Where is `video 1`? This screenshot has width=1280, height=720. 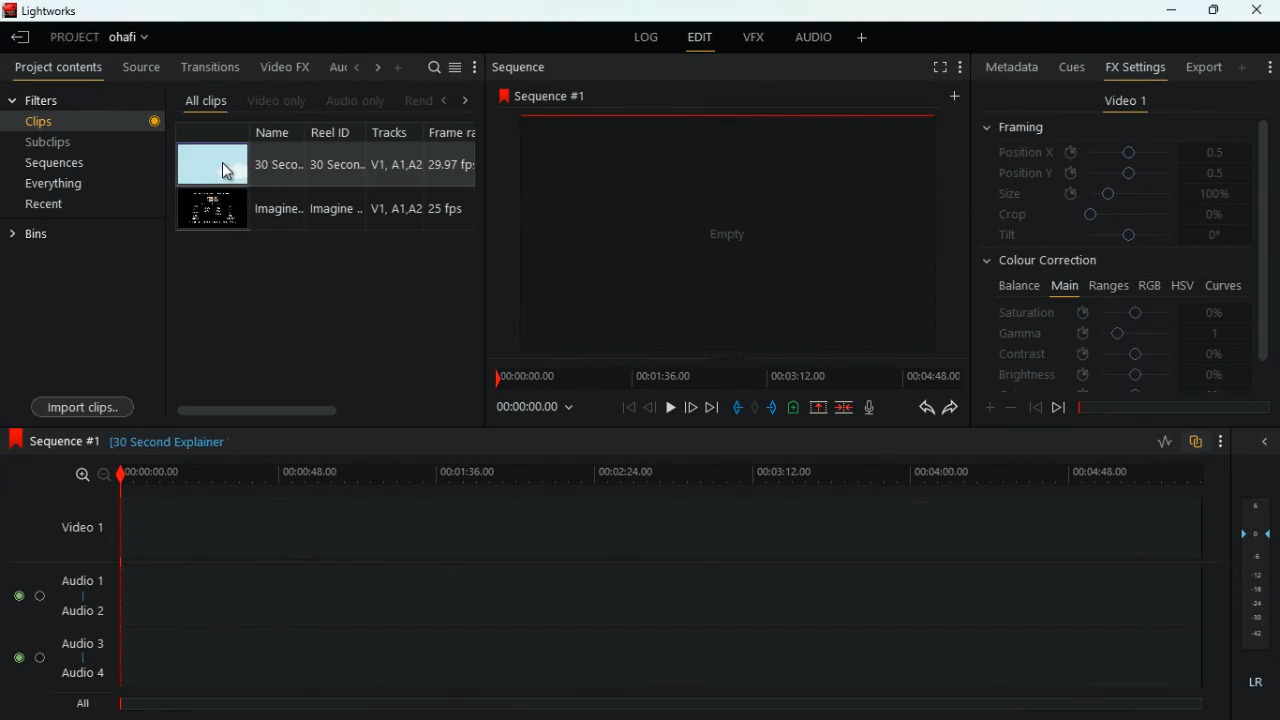 video 1 is located at coordinates (79, 526).